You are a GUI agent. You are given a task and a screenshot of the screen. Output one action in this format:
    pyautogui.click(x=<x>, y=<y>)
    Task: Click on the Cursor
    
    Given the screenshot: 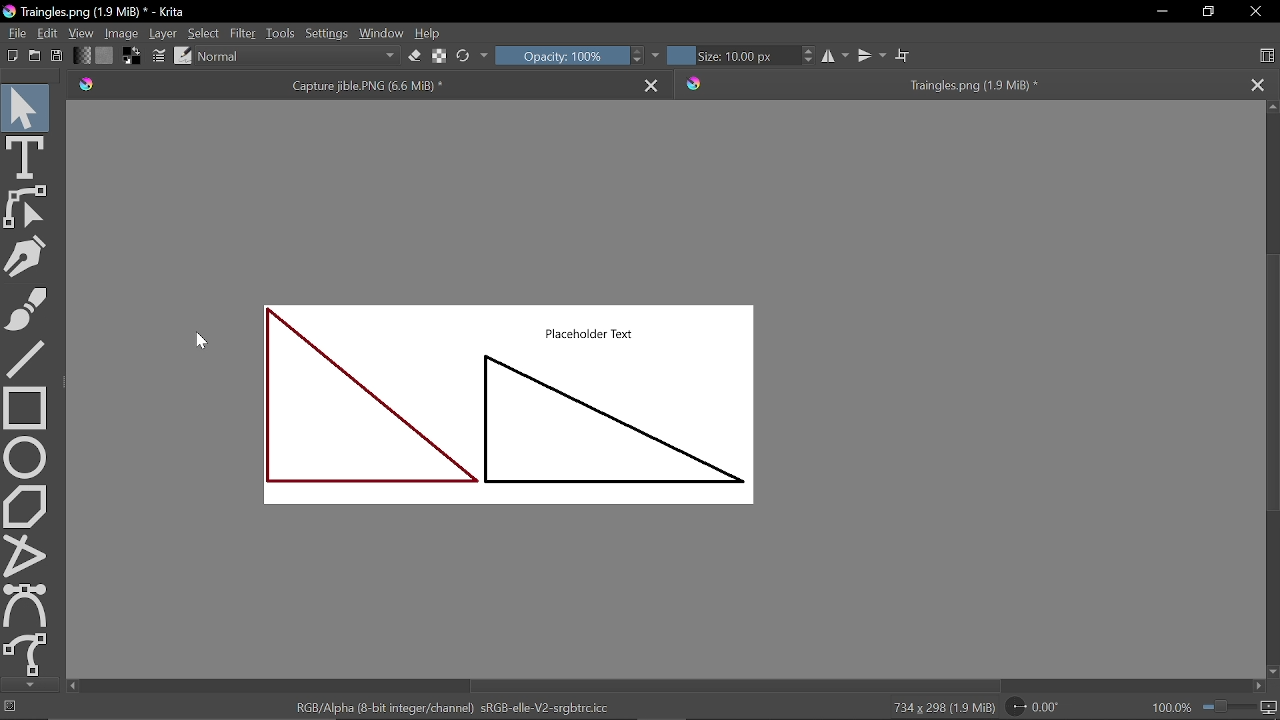 What is the action you would take?
    pyautogui.click(x=210, y=342)
    